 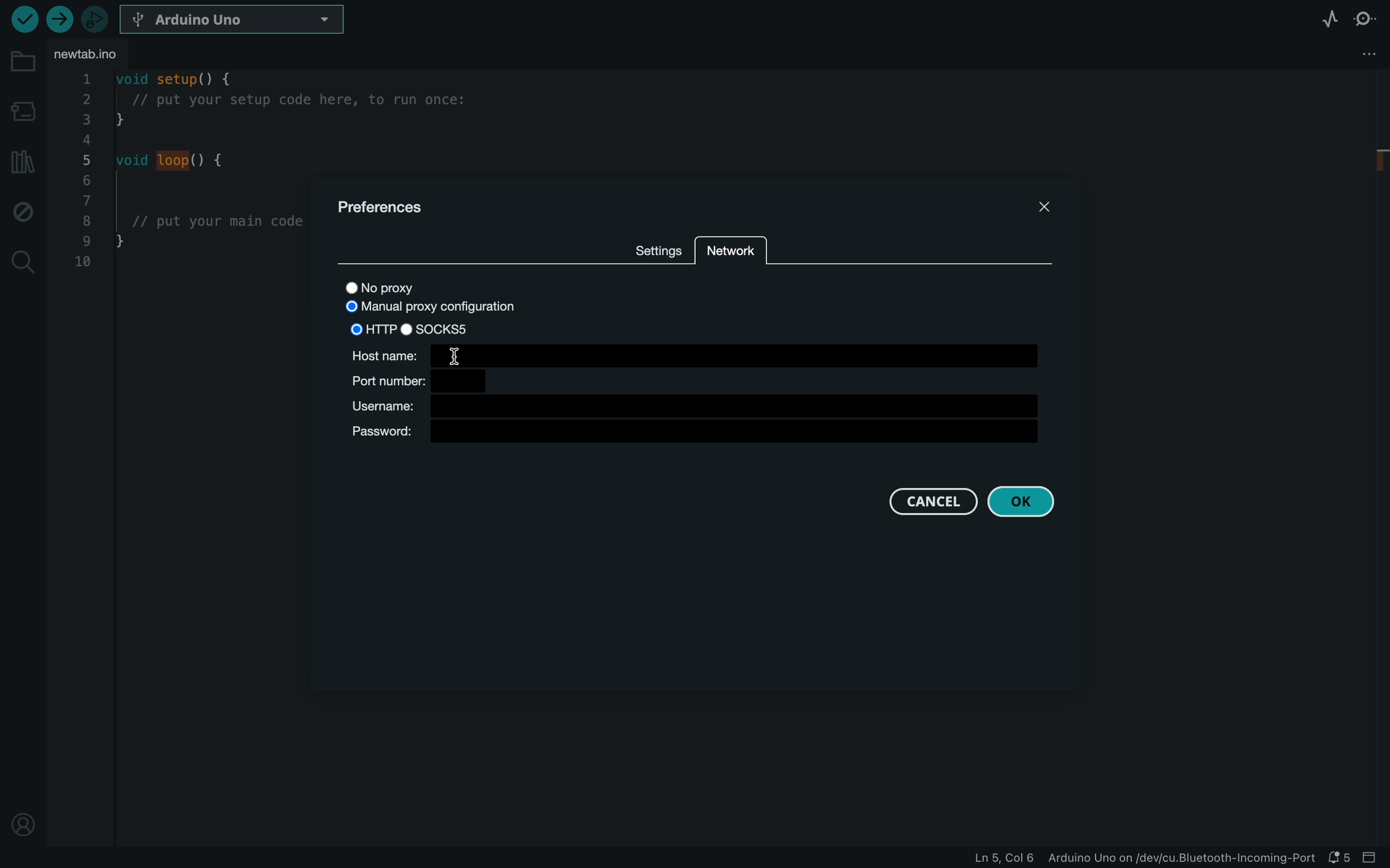 What do you see at coordinates (23, 109) in the screenshot?
I see `board manager` at bounding box center [23, 109].